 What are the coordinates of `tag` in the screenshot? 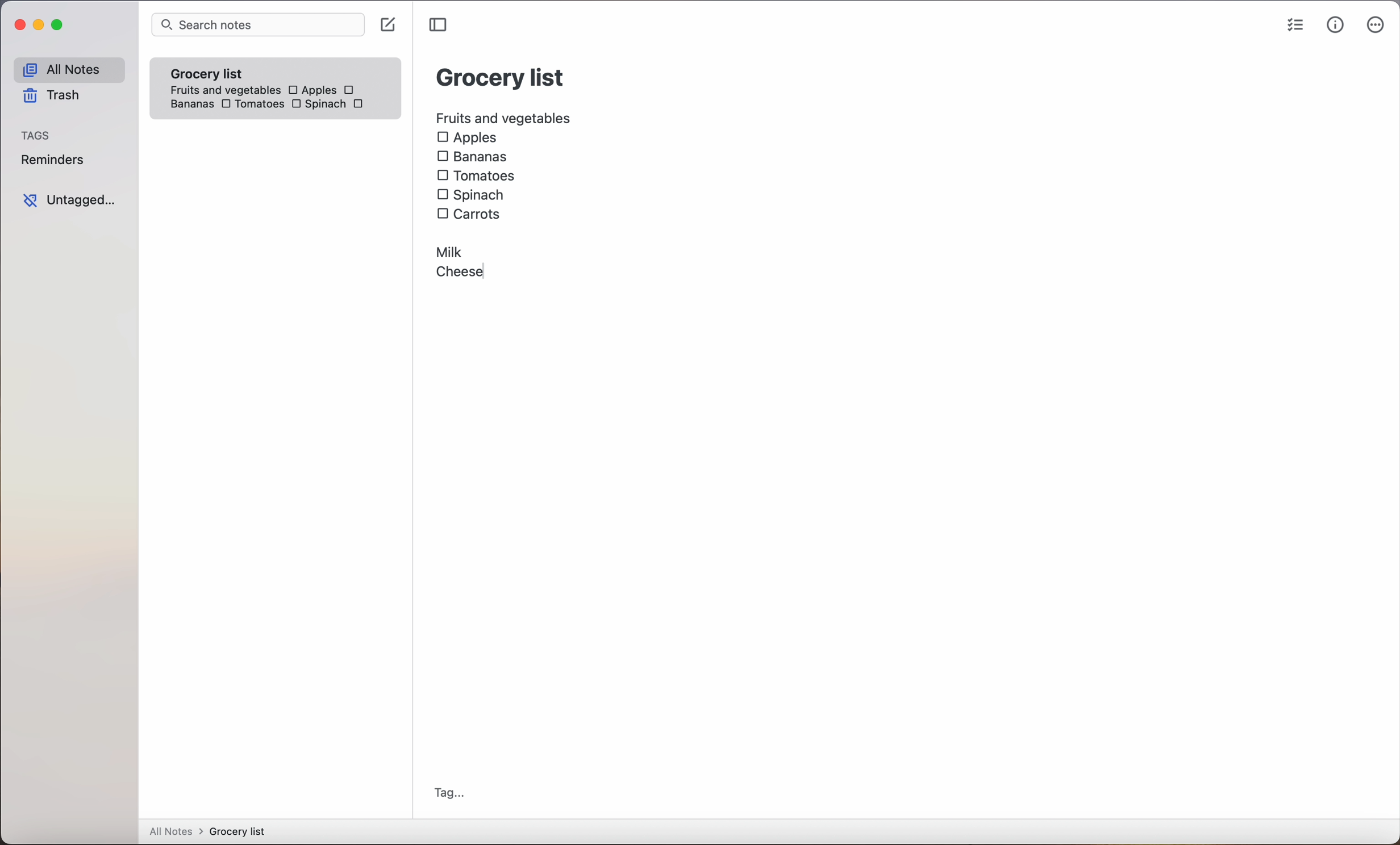 It's located at (449, 793).